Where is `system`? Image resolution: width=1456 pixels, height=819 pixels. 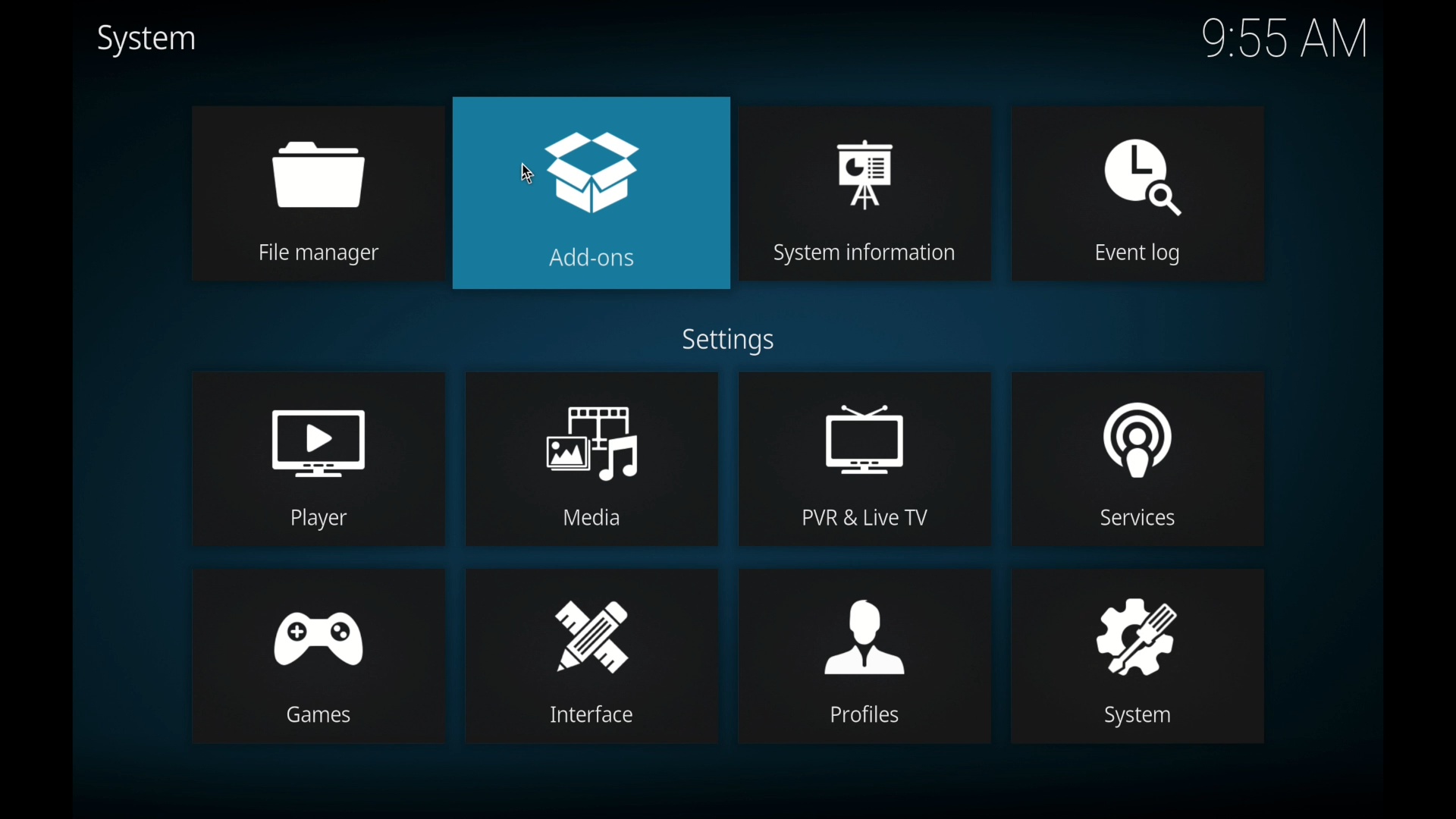 system is located at coordinates (1139, 657).